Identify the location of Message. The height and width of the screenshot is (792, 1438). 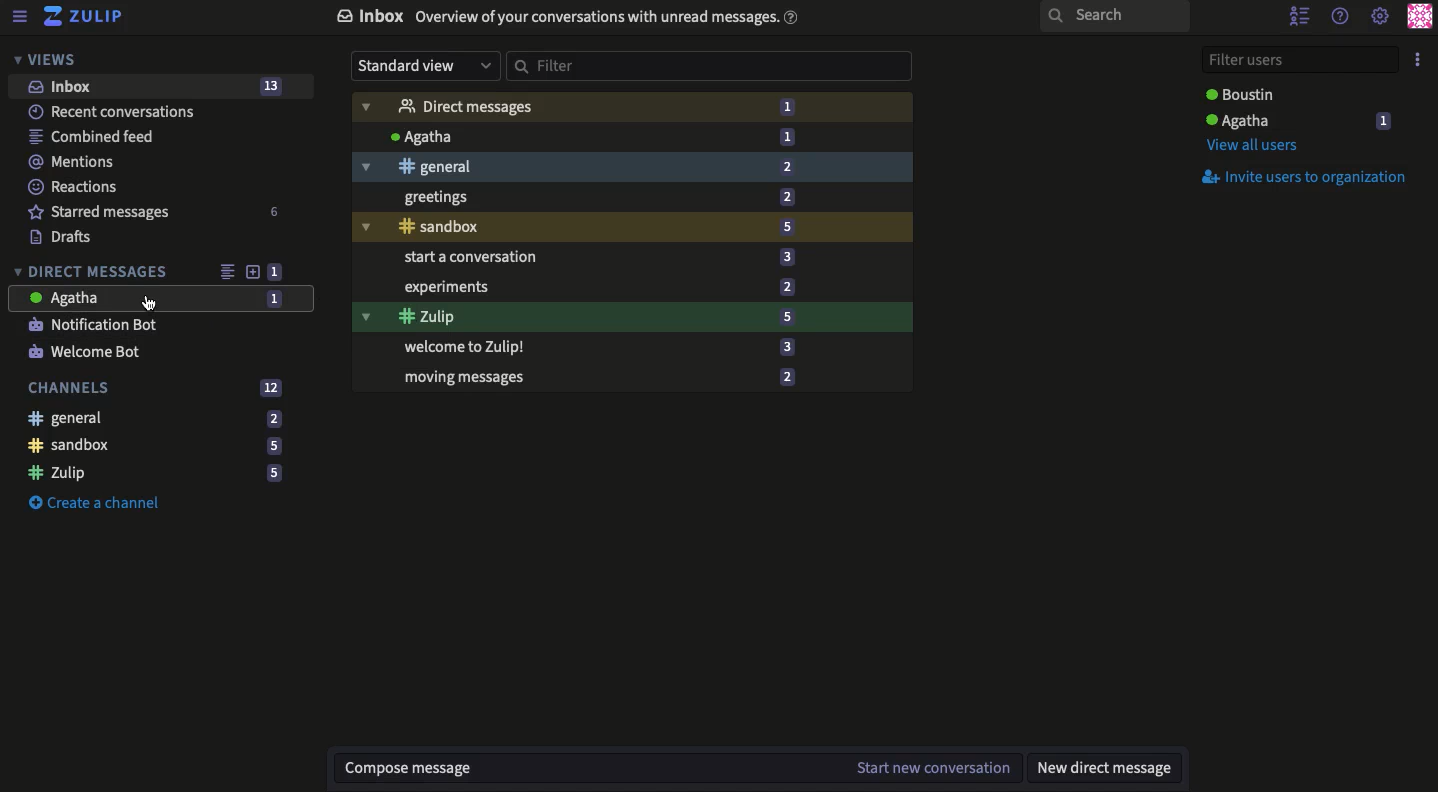
(161, 298).